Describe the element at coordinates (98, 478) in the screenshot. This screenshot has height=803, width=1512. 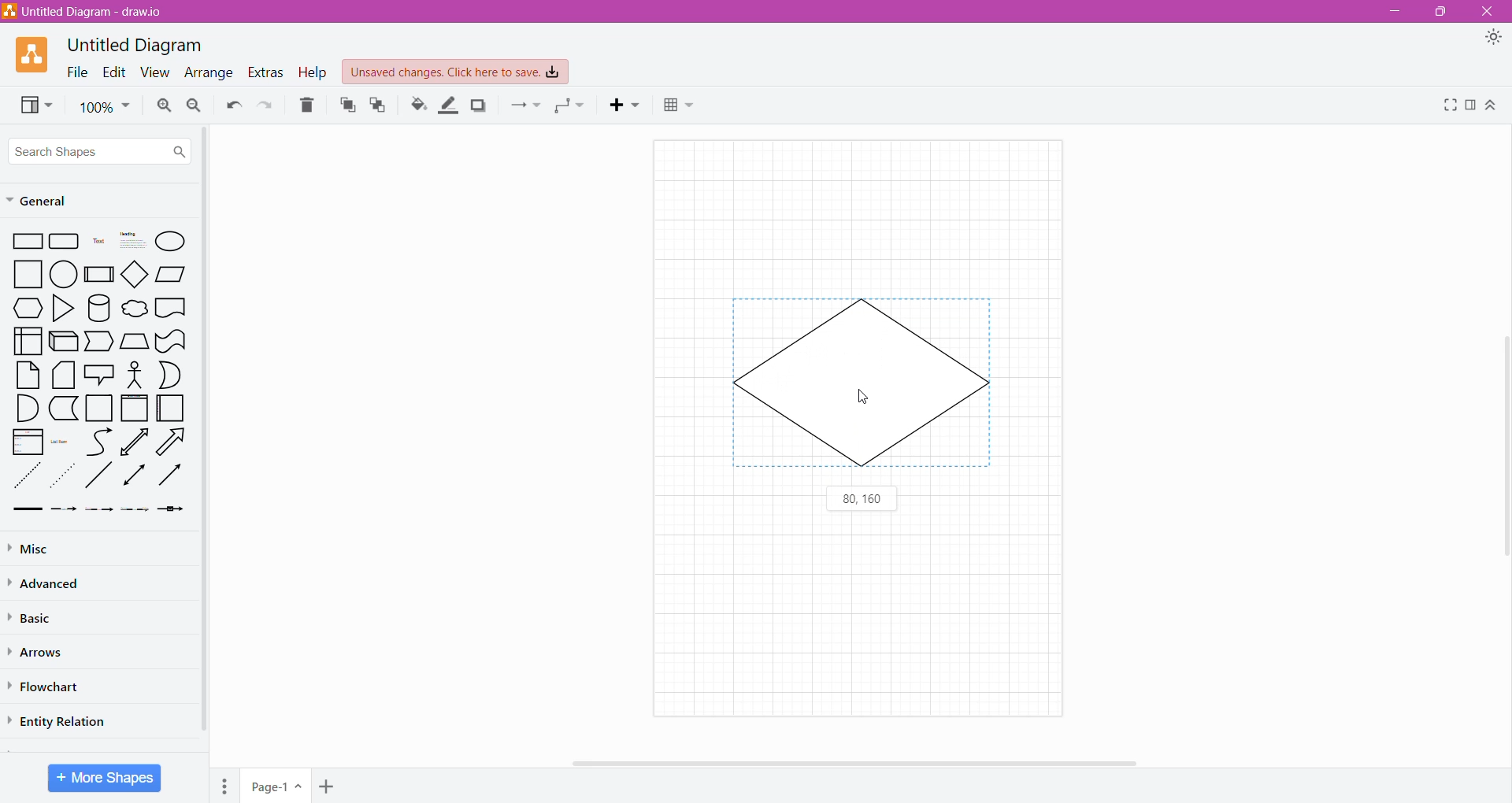
I see `Line` at that location.